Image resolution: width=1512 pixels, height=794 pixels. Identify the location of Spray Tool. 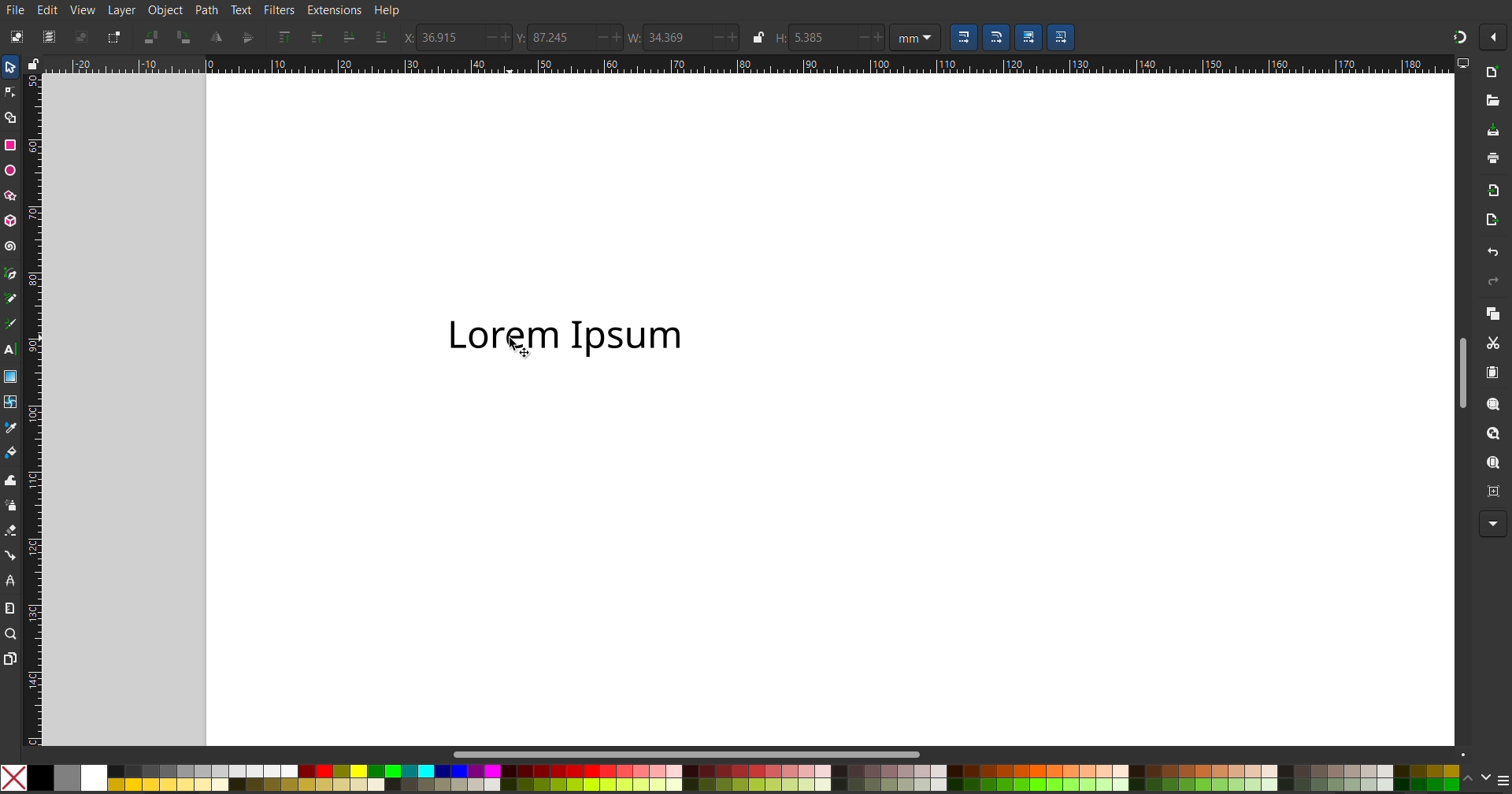
(13, 508).